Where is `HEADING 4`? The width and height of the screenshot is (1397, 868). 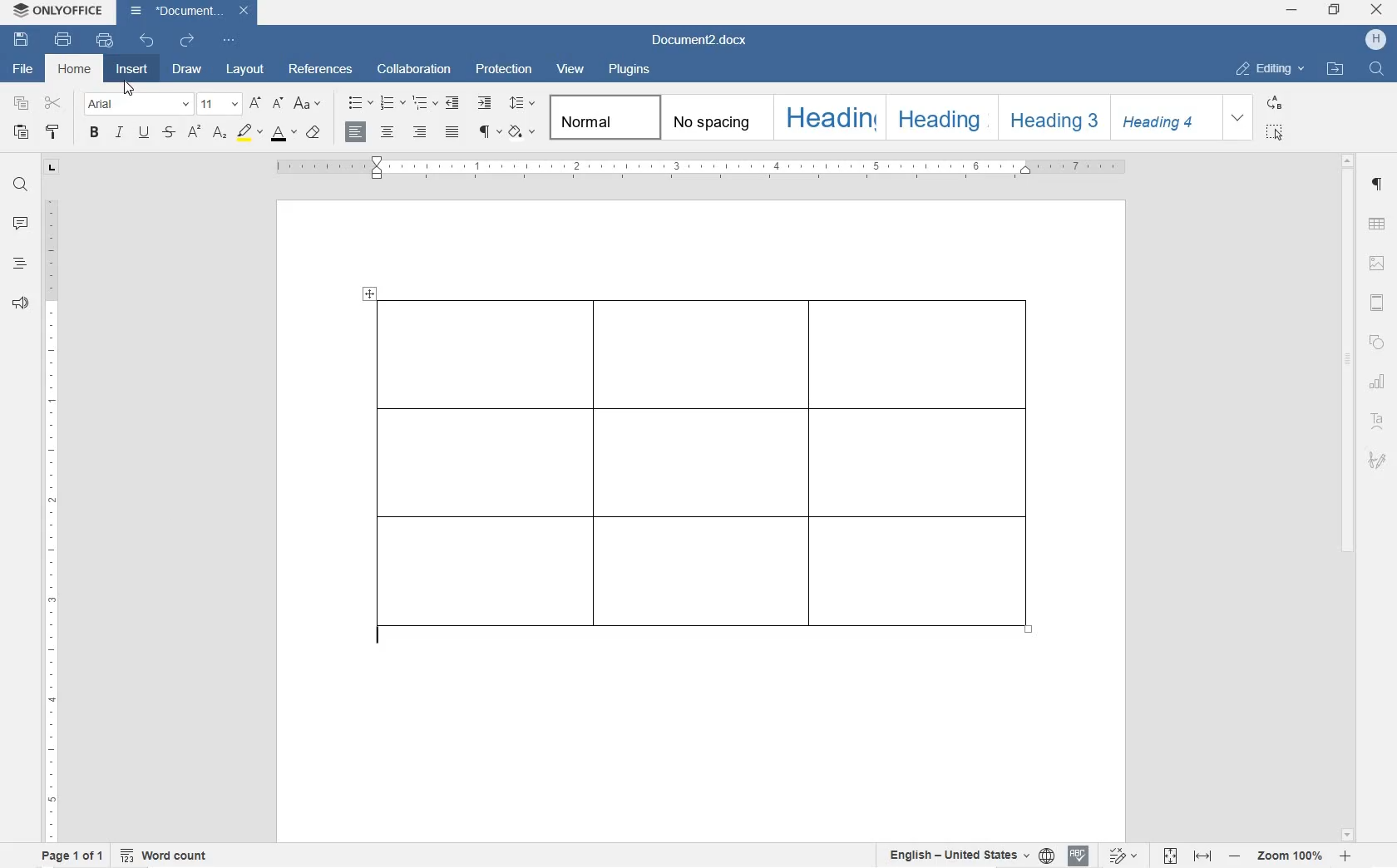
HEADING 4 is located at coordinates (1163, 119).